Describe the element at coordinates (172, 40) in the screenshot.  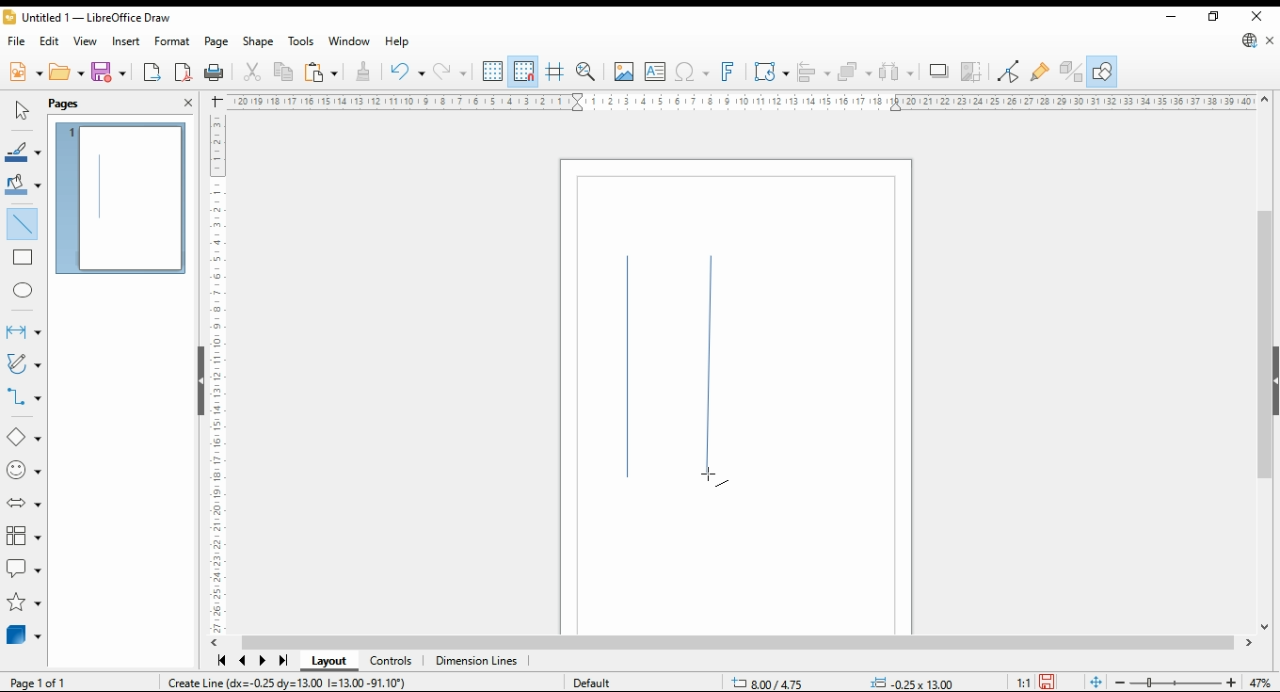
I see `format` at that location.